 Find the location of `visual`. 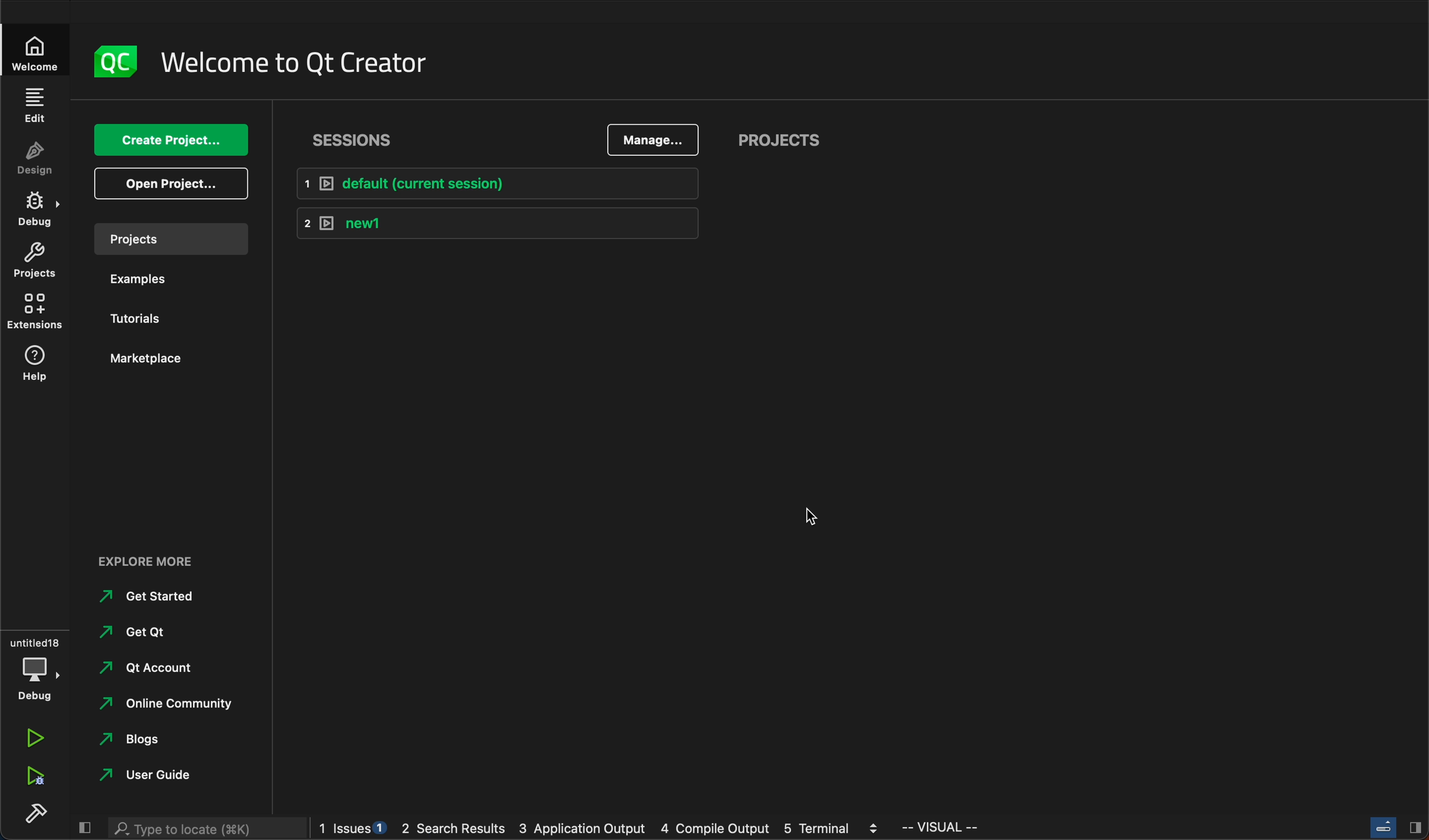

visual is located at coordinates (980, 830).